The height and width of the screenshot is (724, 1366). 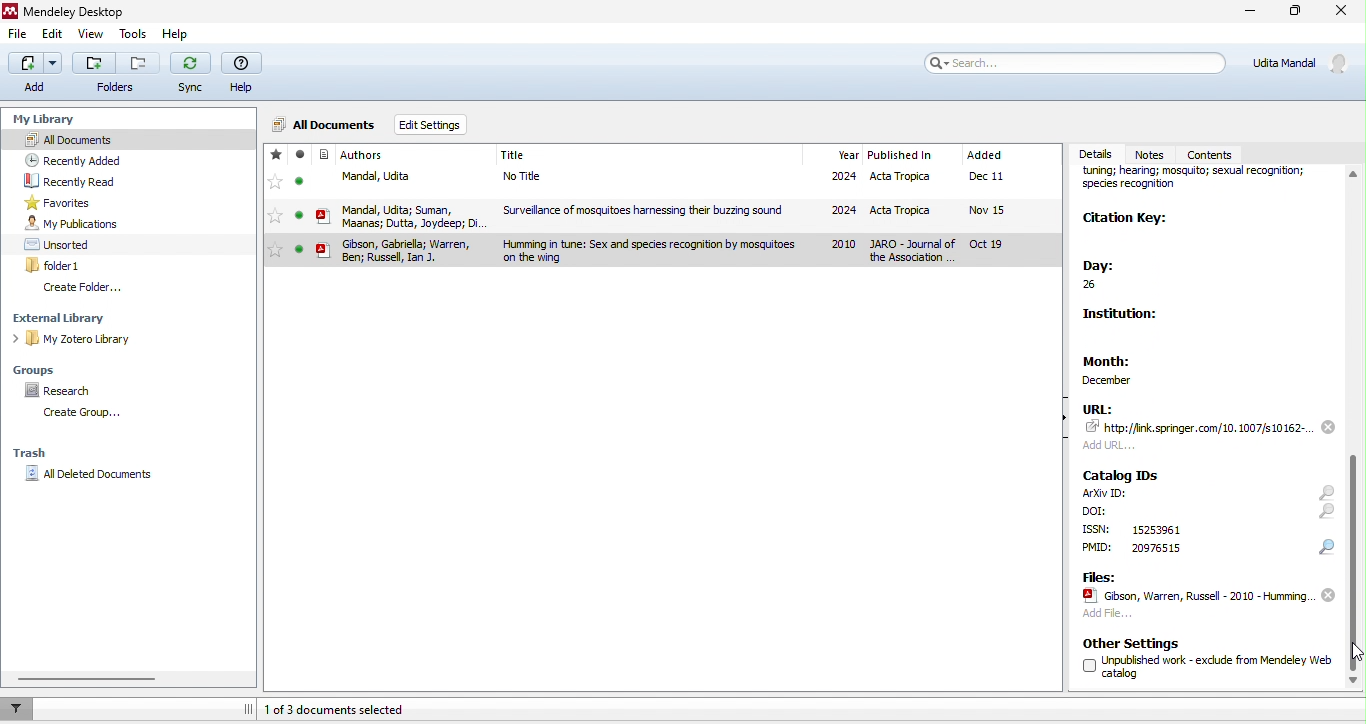 What do you see at coordinates (53, 37) in the screenshot?
I see `edit` at bounding box center [53, 37].